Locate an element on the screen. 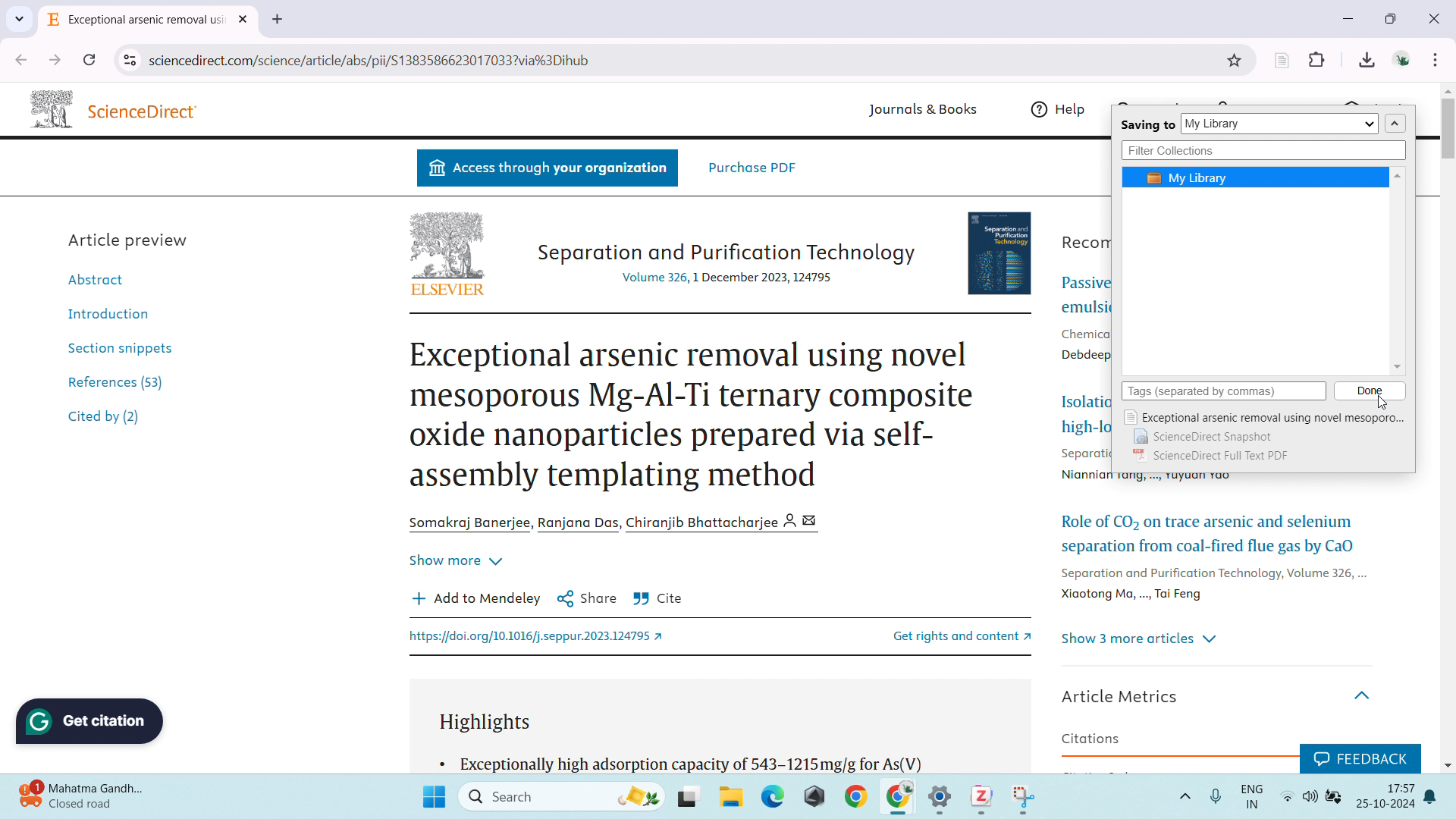 Image resolution: width=1456 pixels, height=819 pixels. Access through your organization is located at coordinates (547, 169).